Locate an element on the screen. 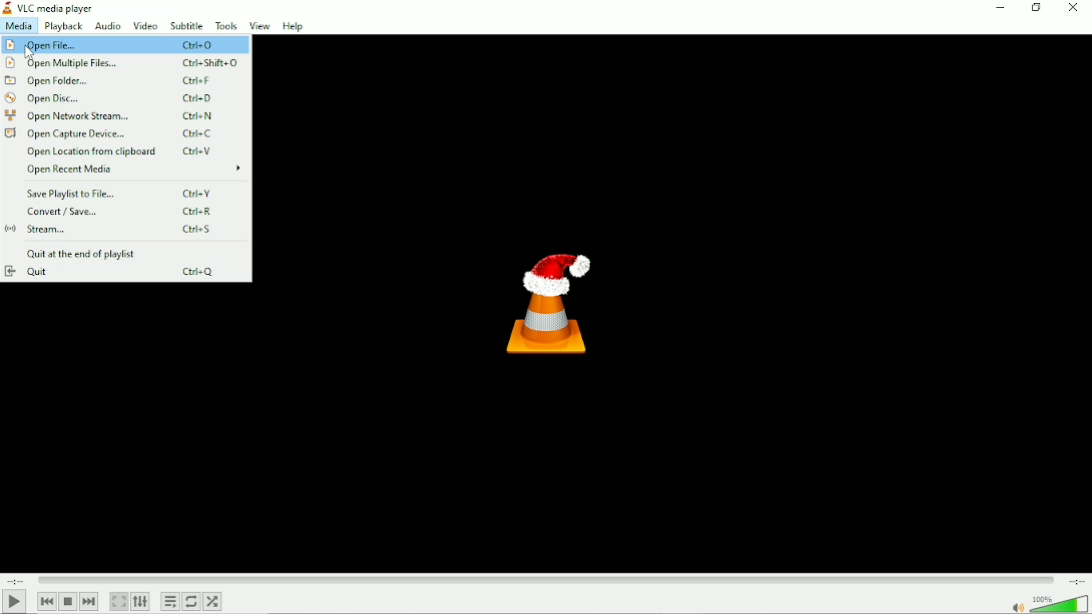 The height and width of the screenshot is (614, 1092). Toggle the video in fullscreen is located at coordinates (118, 601).